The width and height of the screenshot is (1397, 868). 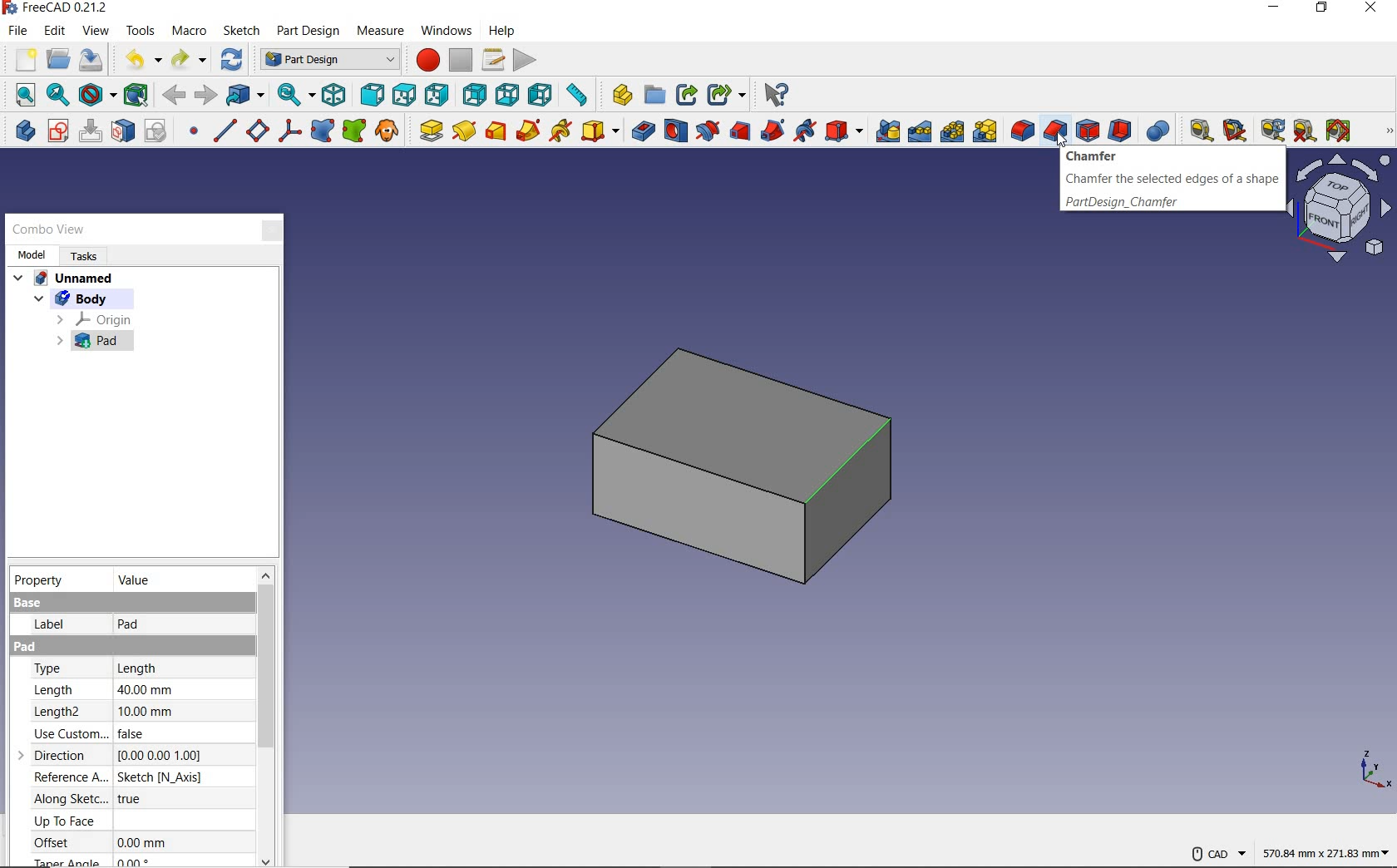 I want to click on sync view, so click(x=294, y=96).